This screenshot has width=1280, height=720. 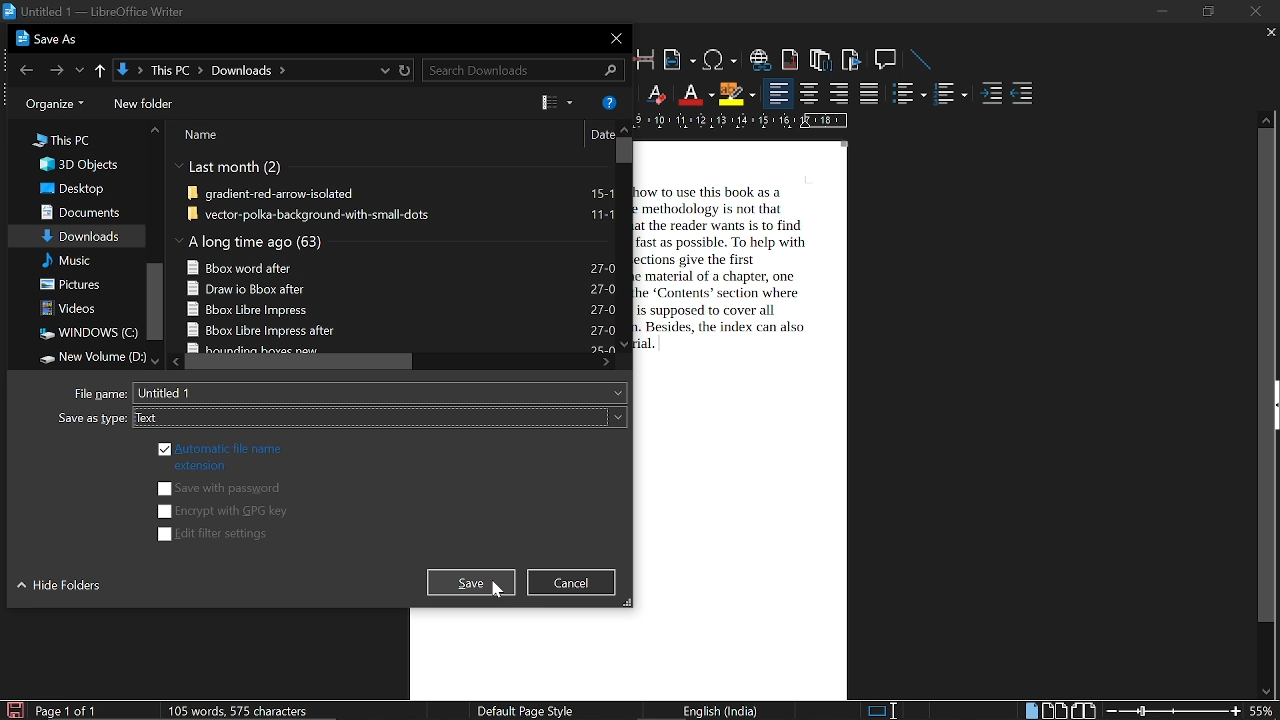 I want to click on up to "this pc", so click(x=100, y=68).